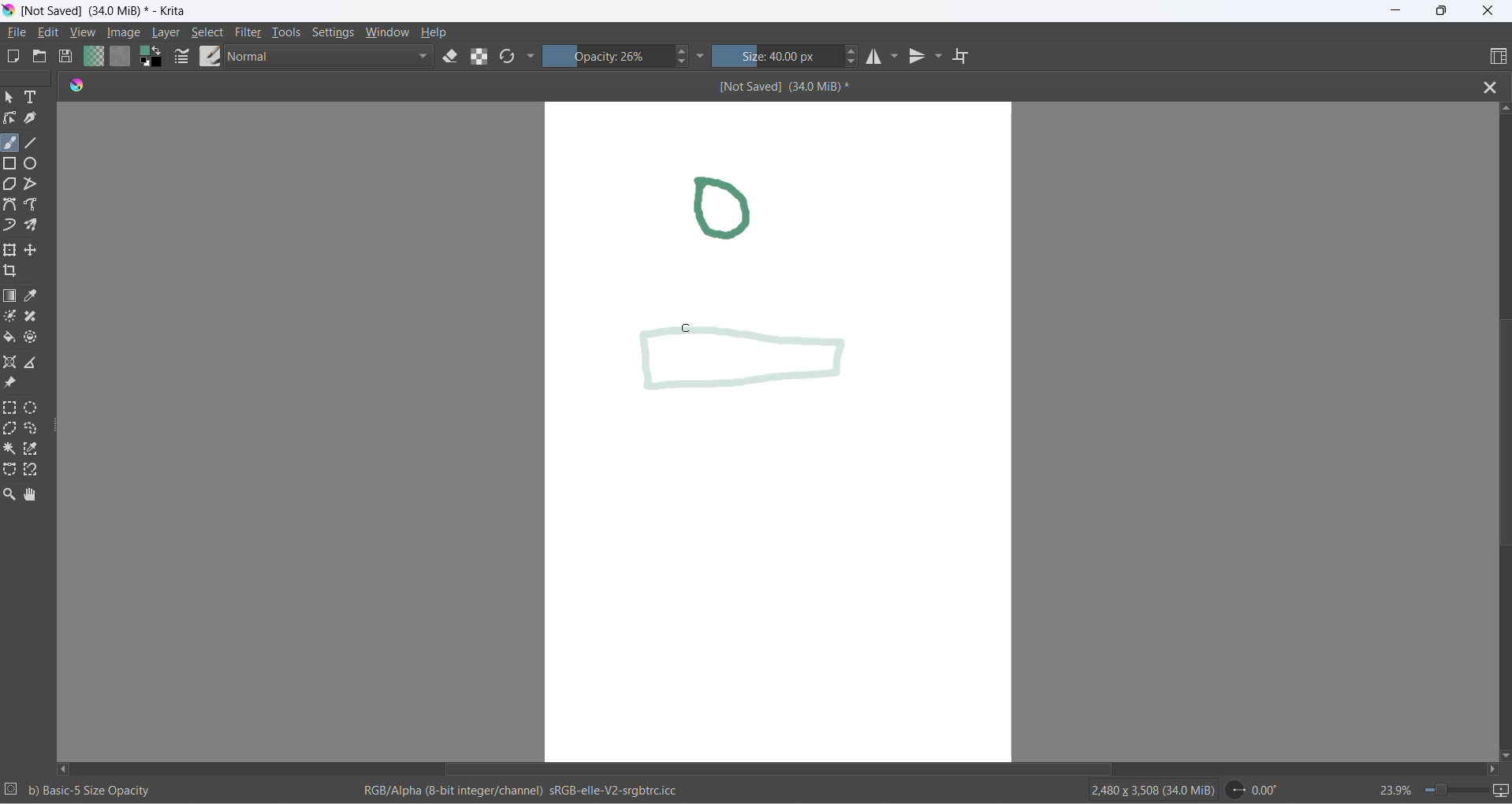 The image size is (1512, 804). I want to click on more settings dropdown button, so click(533, 59).